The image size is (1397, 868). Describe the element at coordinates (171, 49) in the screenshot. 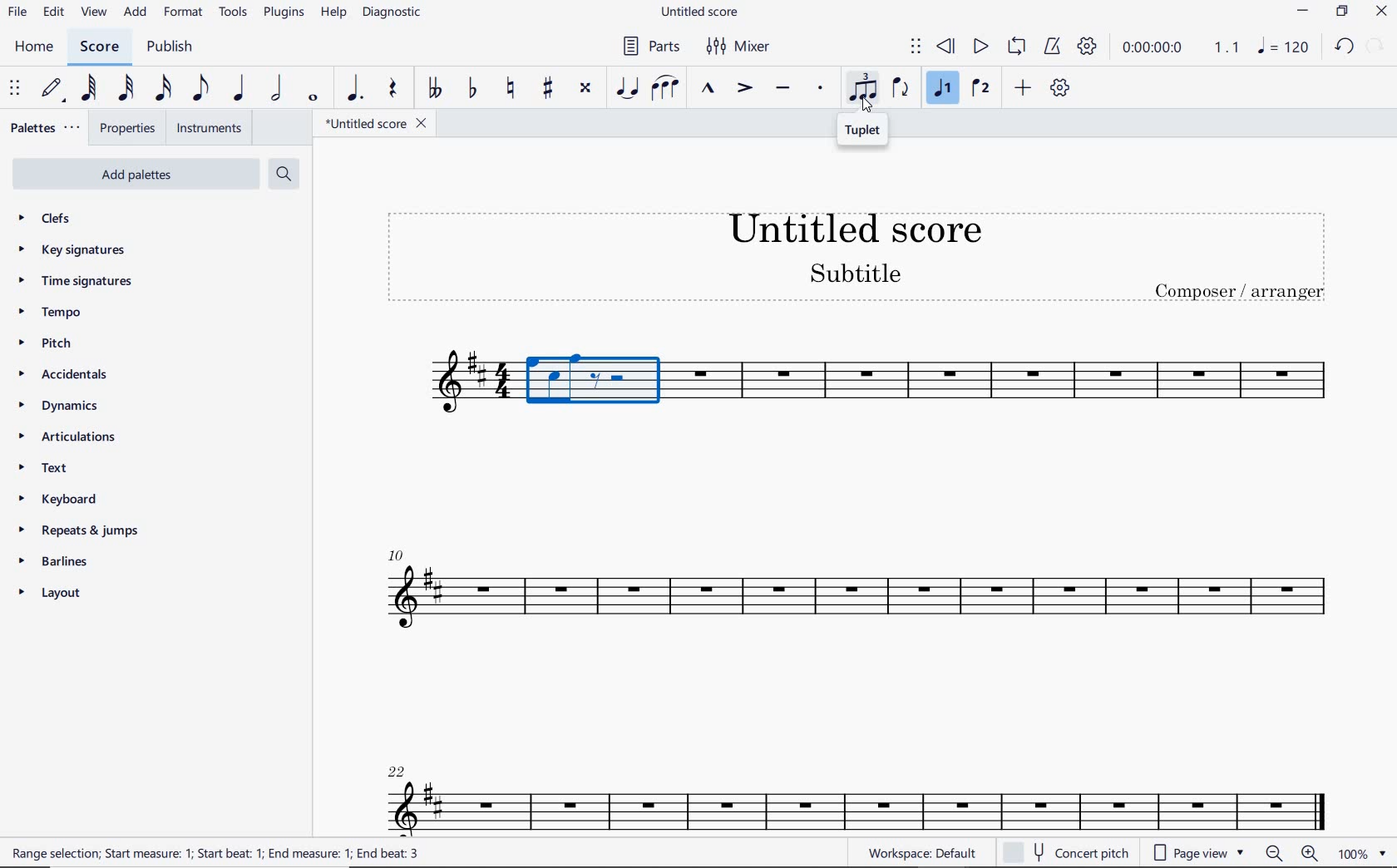

I see `PUBLISH` at that location.